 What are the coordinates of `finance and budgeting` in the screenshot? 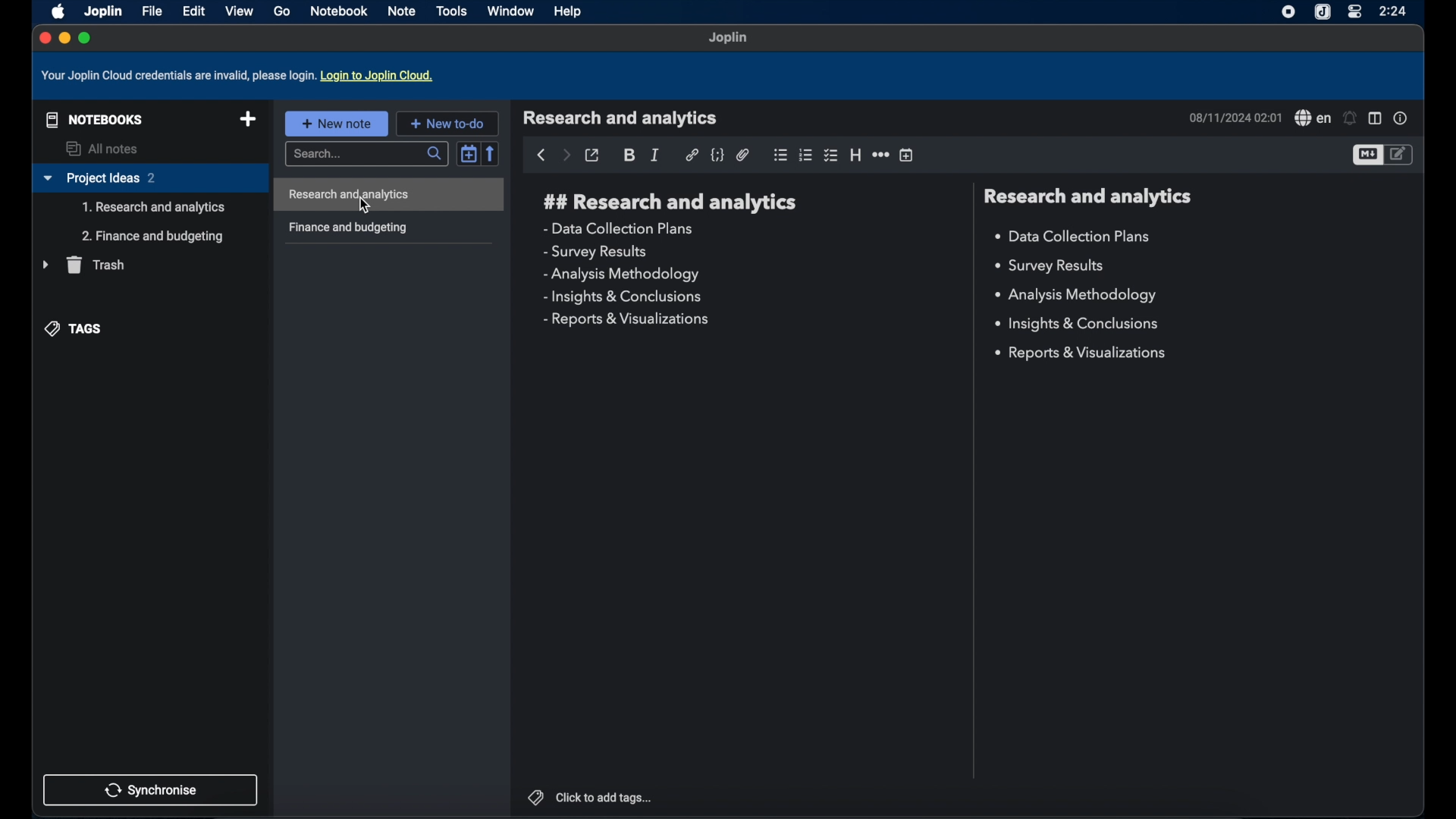 It's located at (347, 228).